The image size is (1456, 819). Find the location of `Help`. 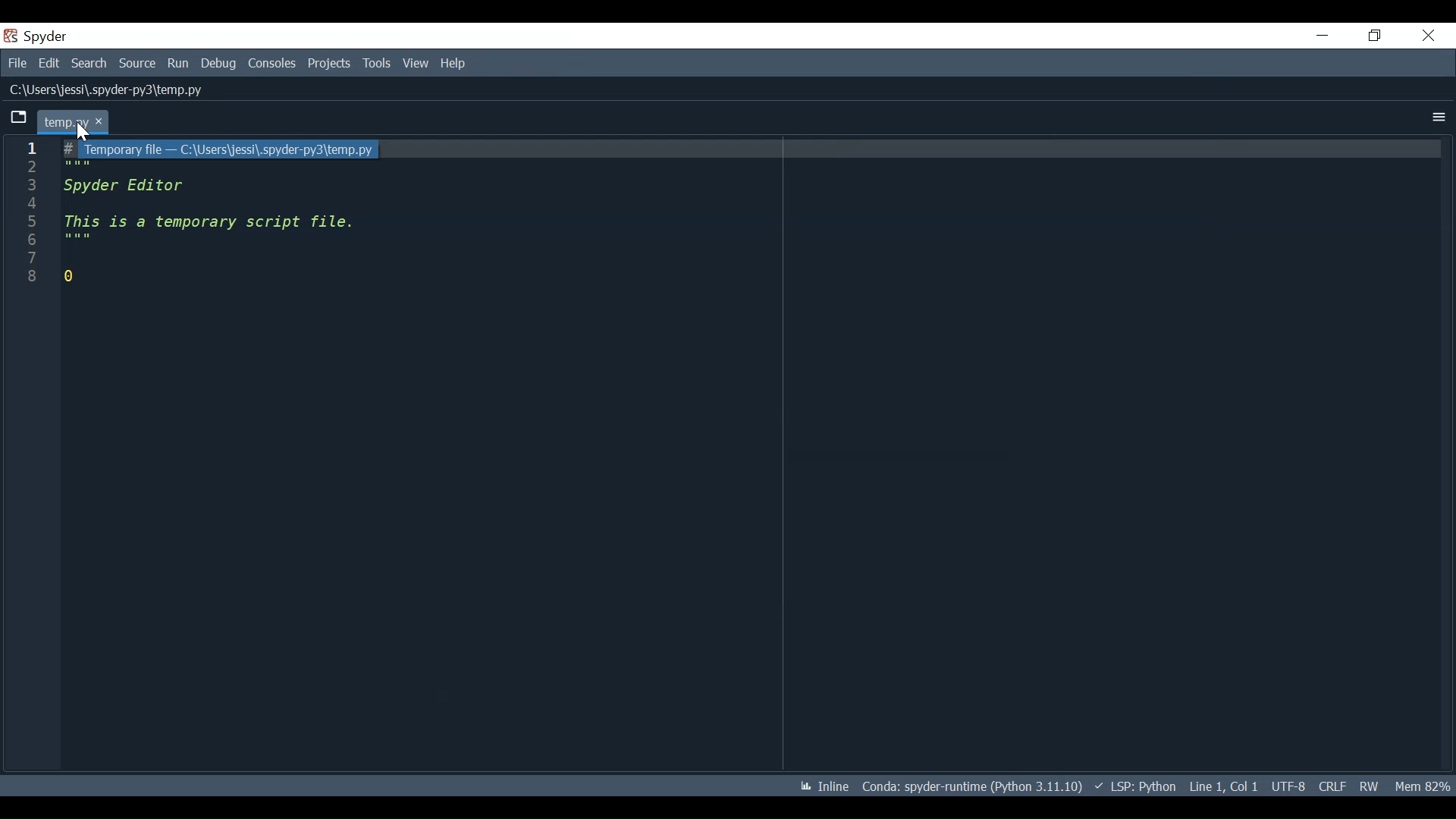

Help is located at coordinates (453, 64).